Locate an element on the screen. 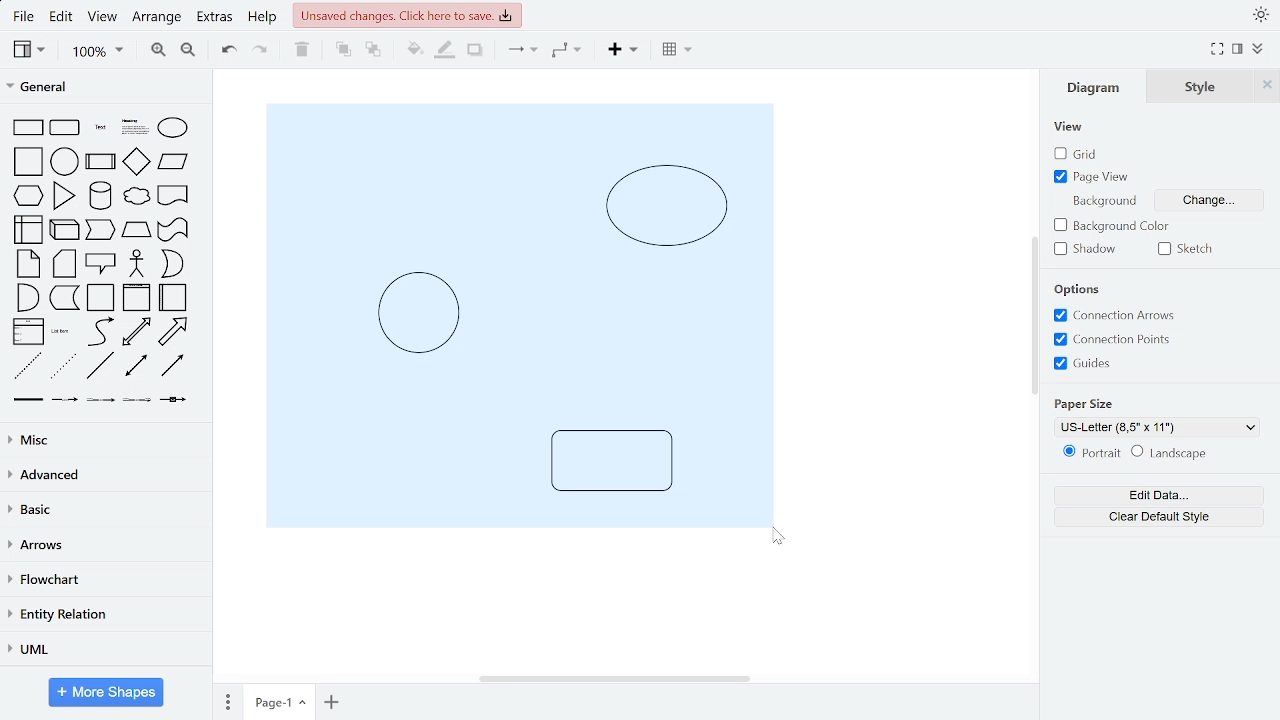 This screenshot has width=1280, height=720. diamond is located at coordinates (137, 162).